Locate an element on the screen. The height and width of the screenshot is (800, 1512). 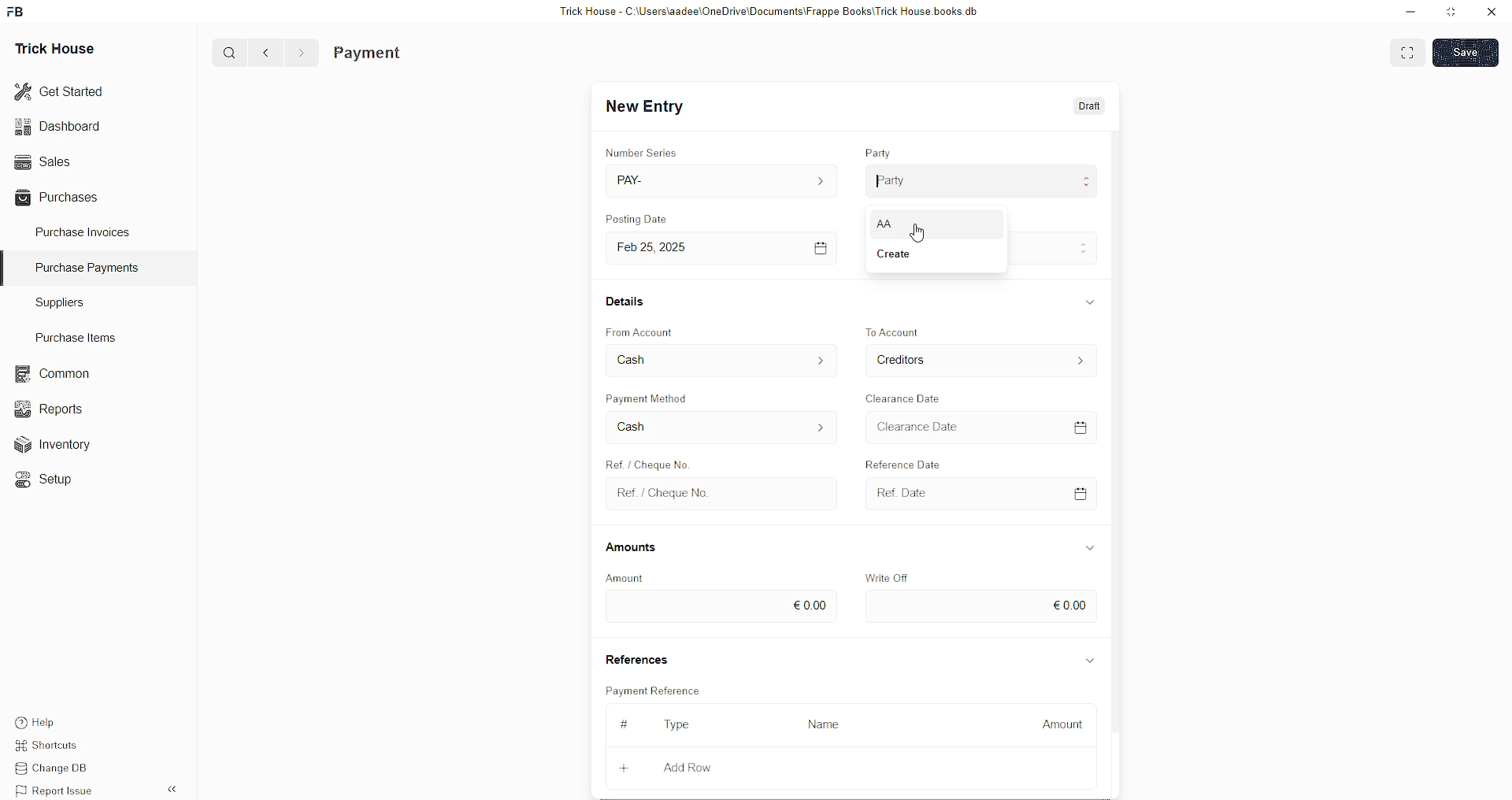
Draft is located at coordinates (1091, 107).